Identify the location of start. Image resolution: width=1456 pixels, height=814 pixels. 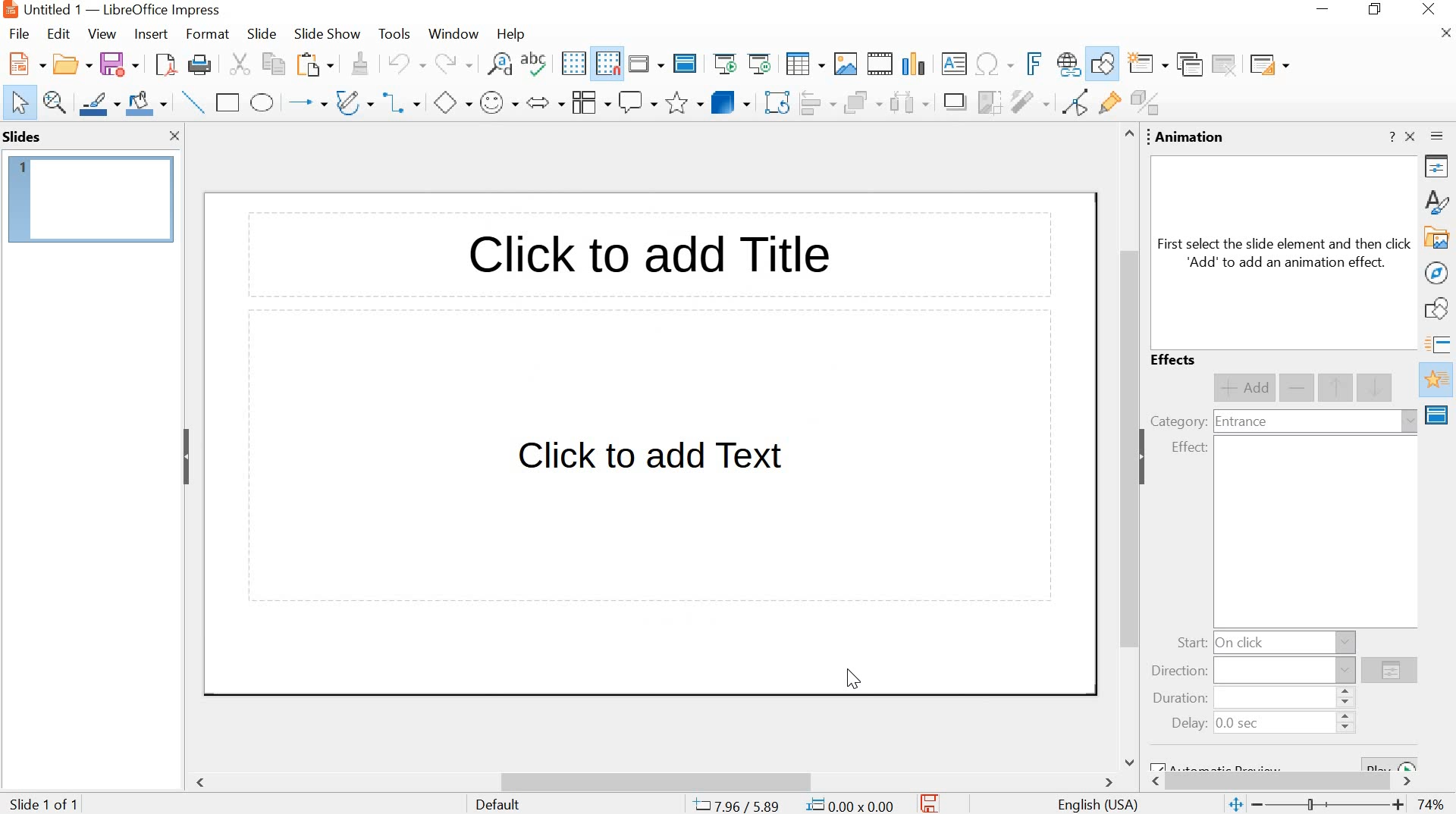
(1191, 643).